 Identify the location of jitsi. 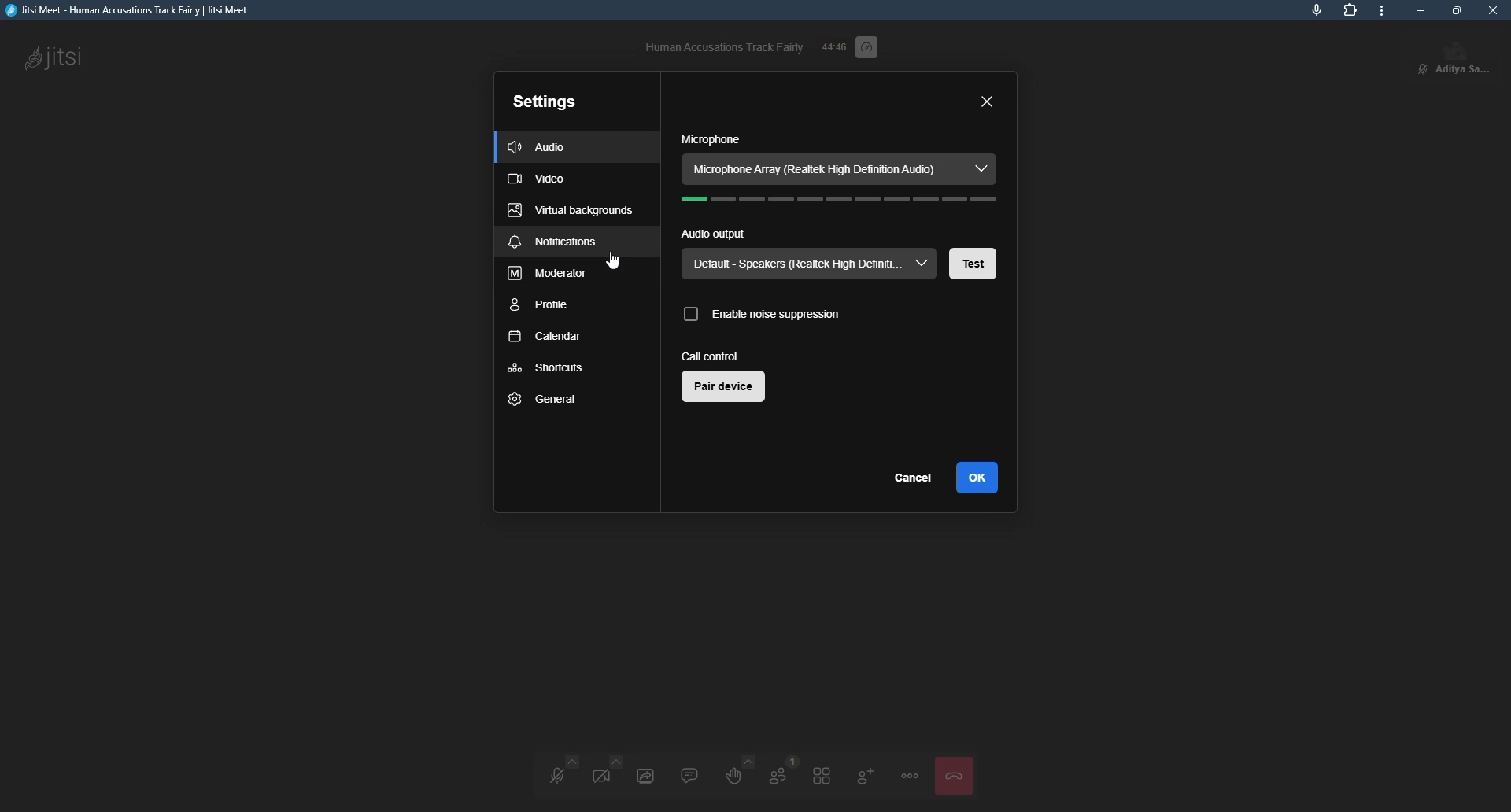
(135, 12).